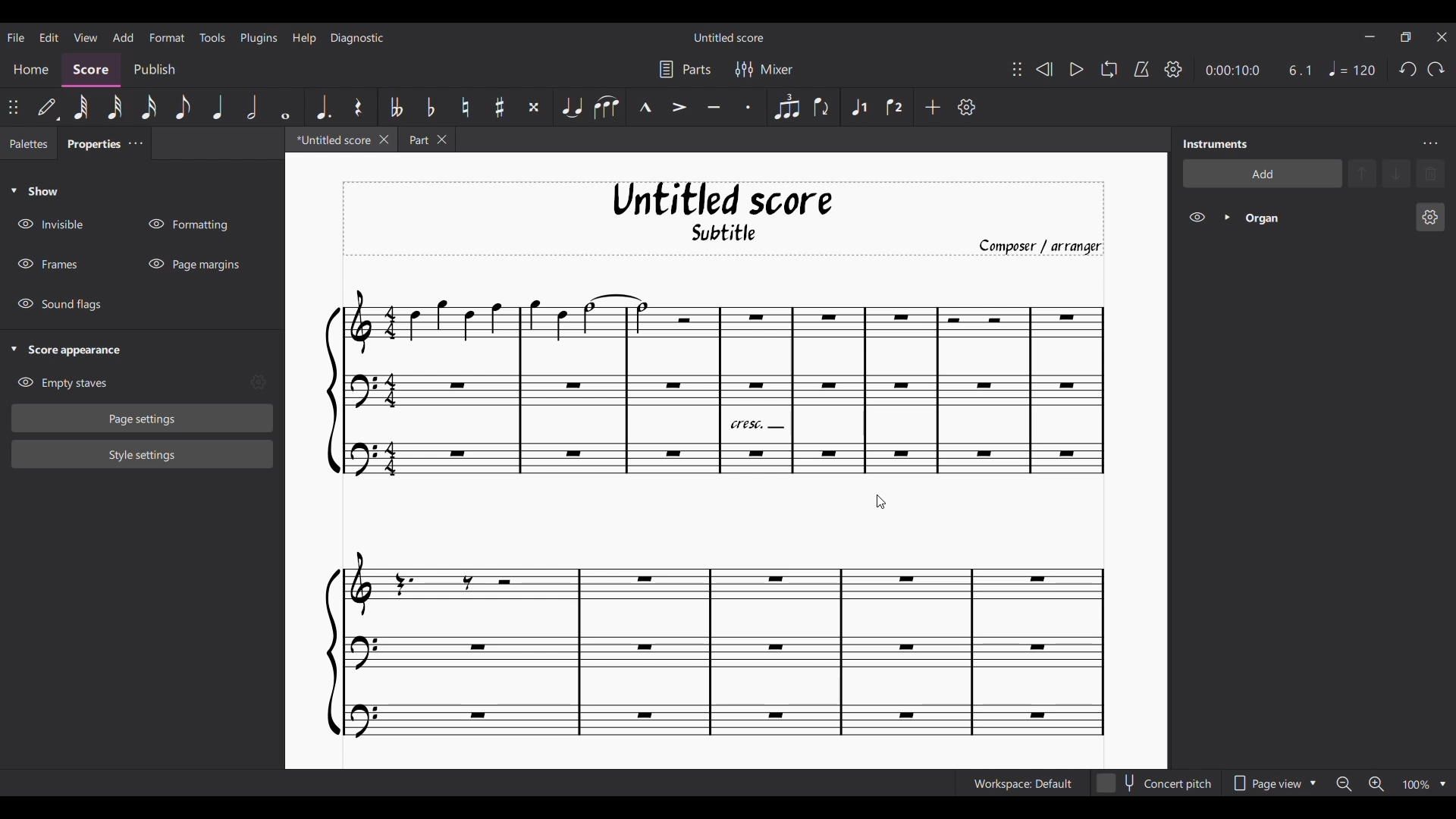 This screenshot has width=1456, height=819. What do you see at coordinates (426, 139) in the screenshot?
I see `Earlier tab` at bounding box center [426, 139].